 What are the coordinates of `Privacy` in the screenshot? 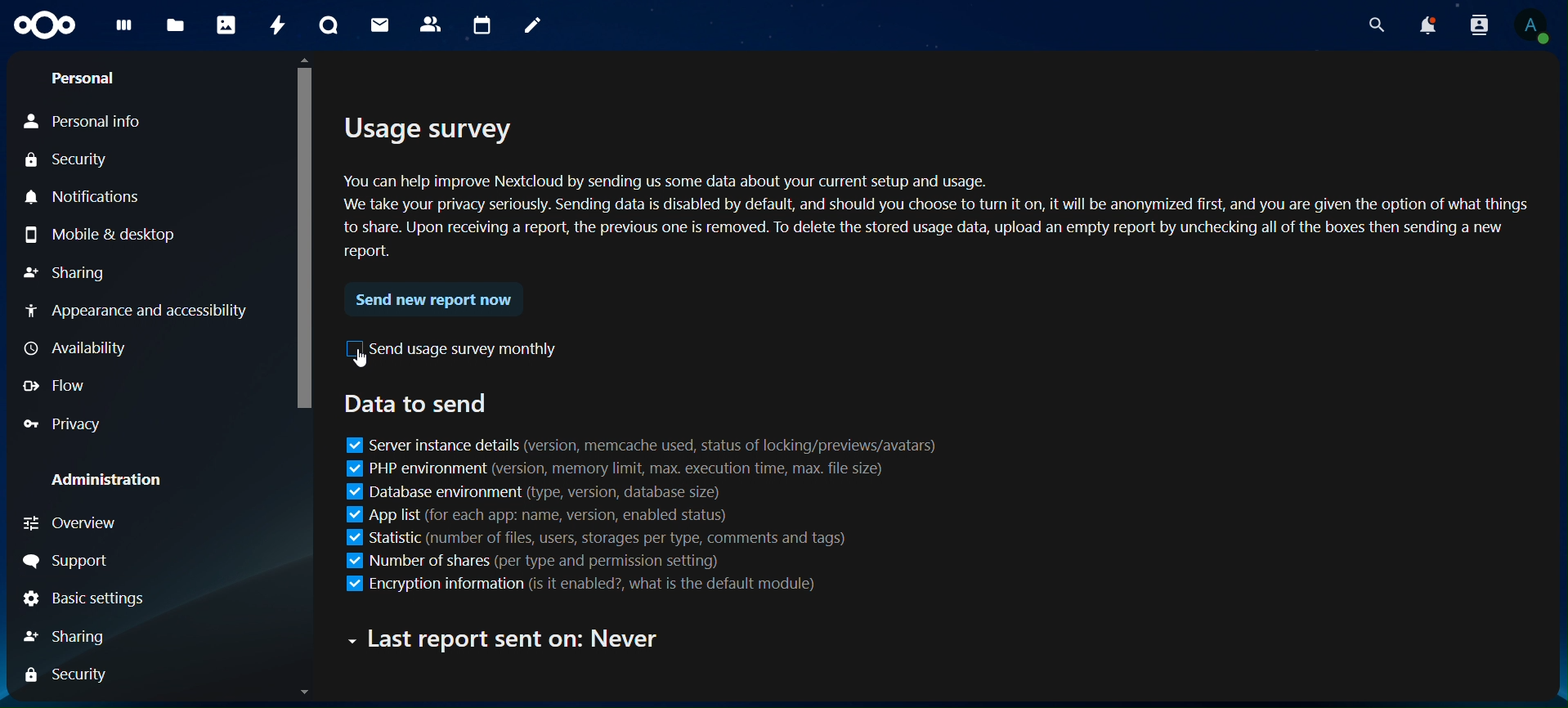 It's located at (64, 426).